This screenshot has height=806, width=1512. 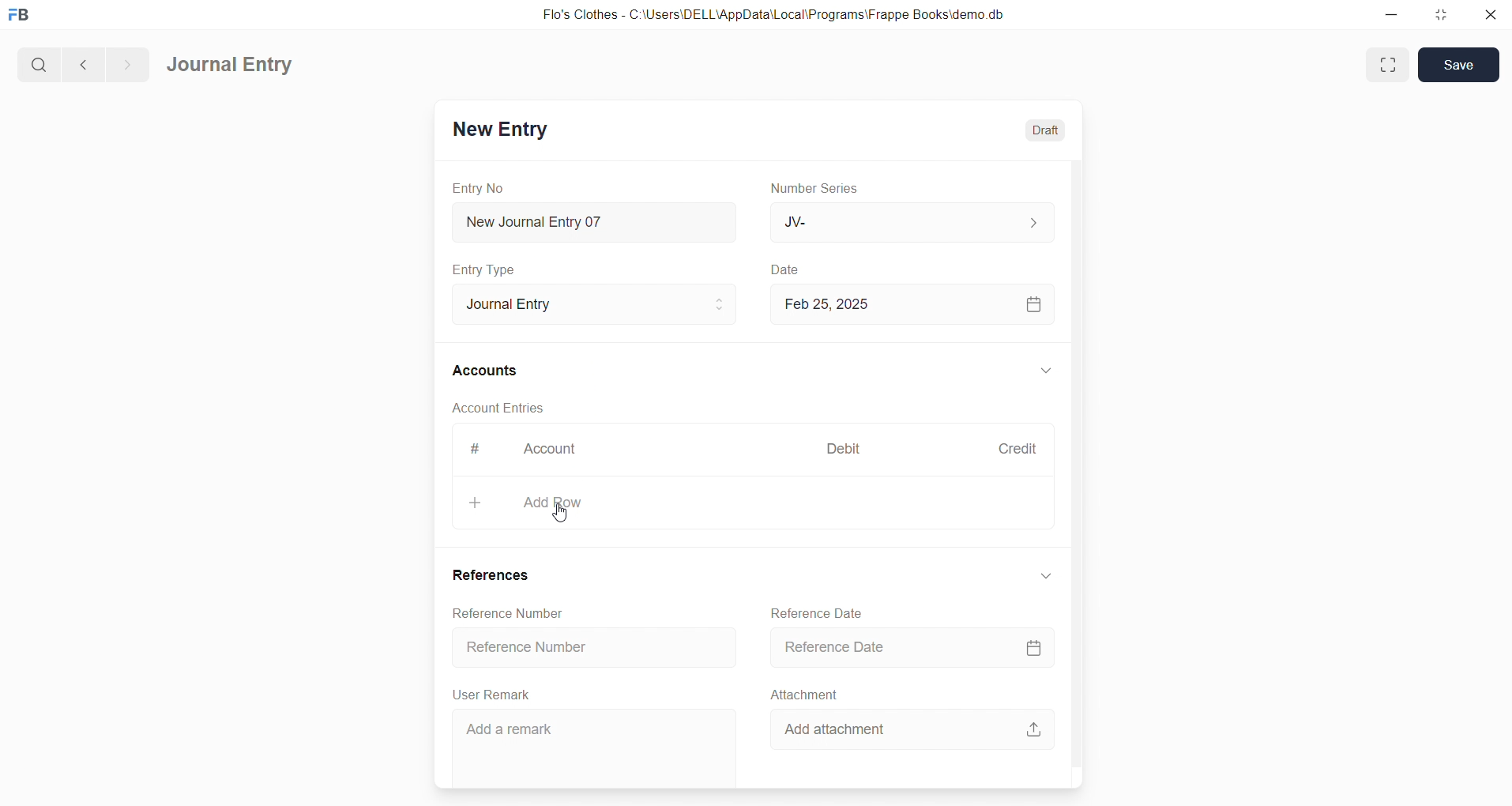 I want to click on Credit, so click(x=1017, y=448).